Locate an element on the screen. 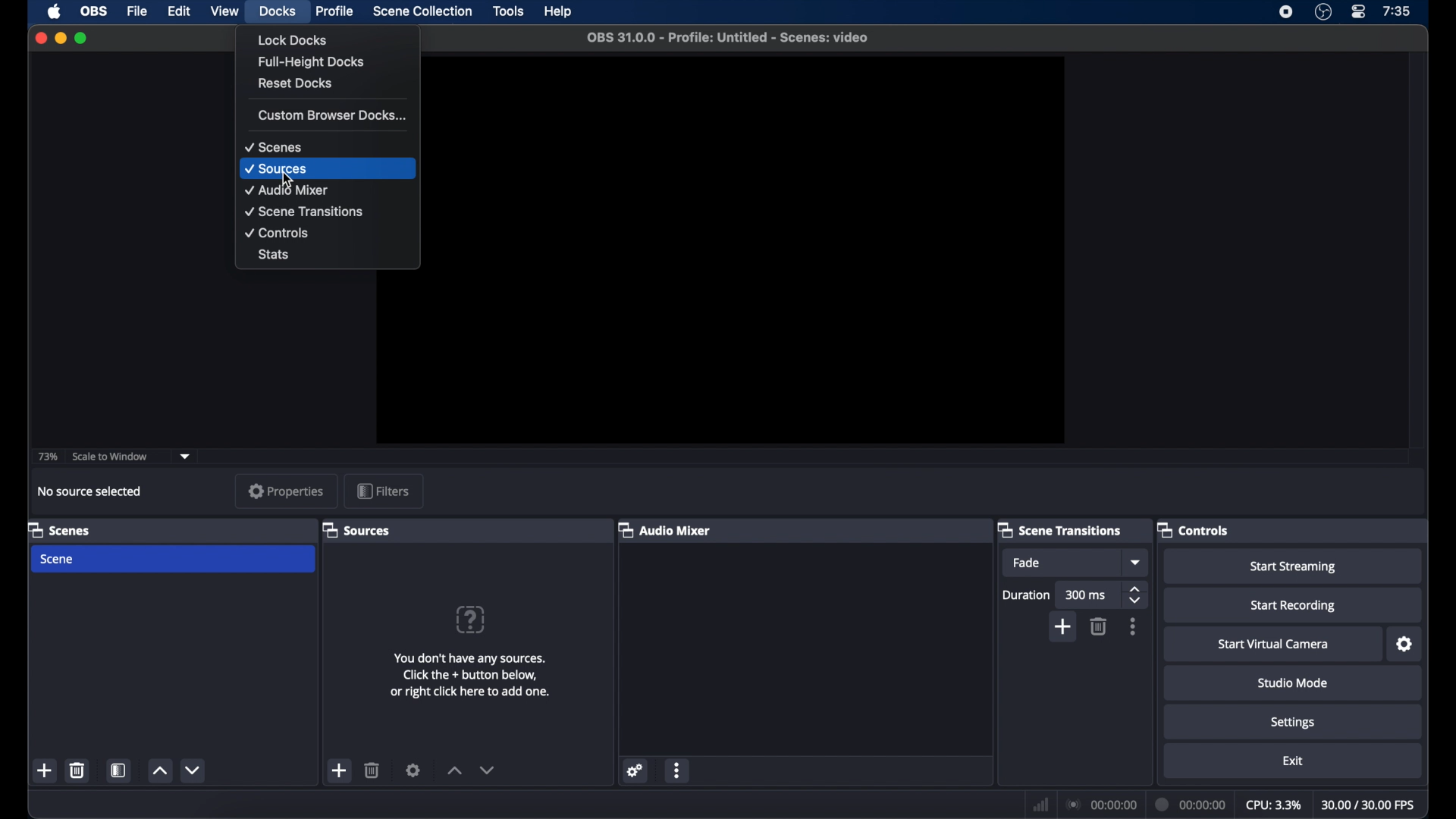  control is located at coordinates (276, 232).